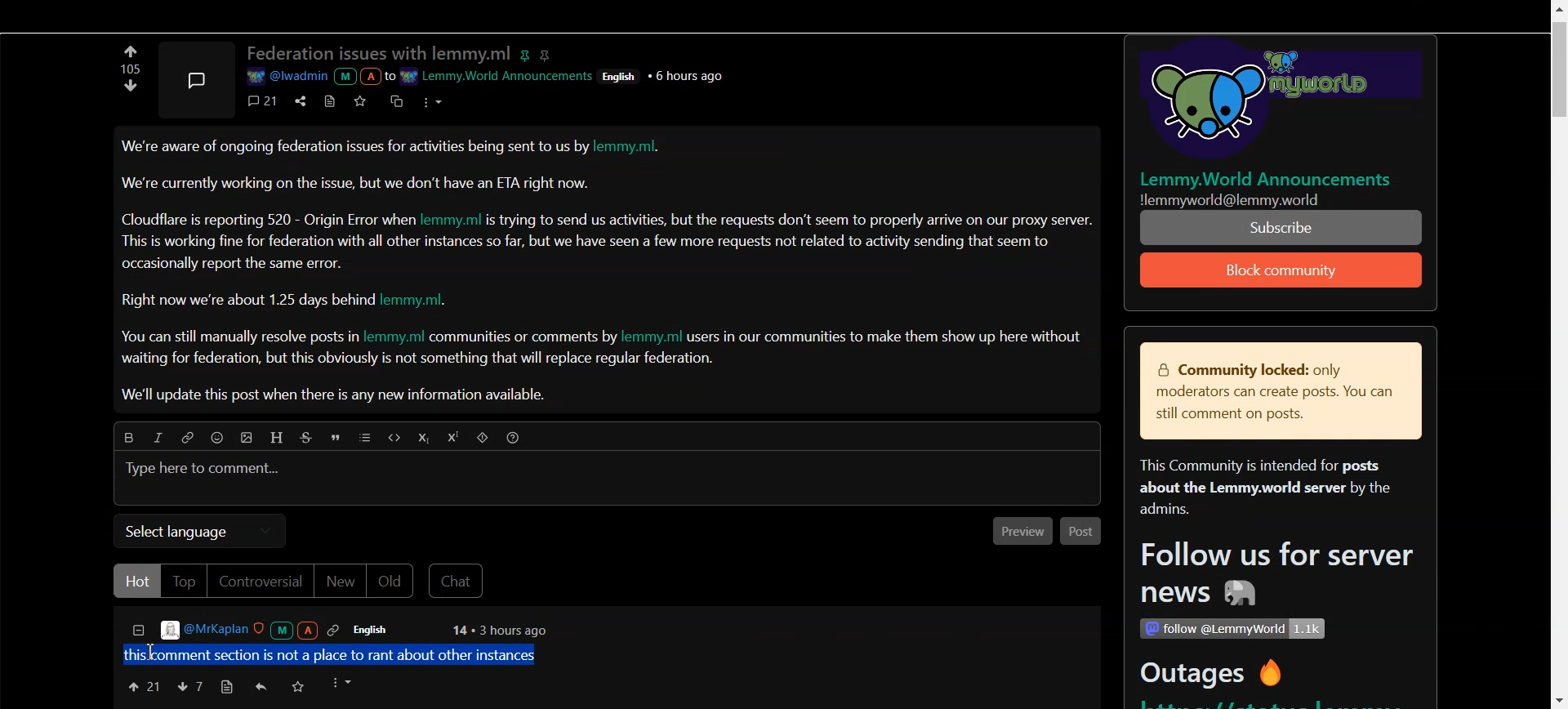  Describe the element at coordinates (298, 100) in the screenshot. I see `share` at that location.